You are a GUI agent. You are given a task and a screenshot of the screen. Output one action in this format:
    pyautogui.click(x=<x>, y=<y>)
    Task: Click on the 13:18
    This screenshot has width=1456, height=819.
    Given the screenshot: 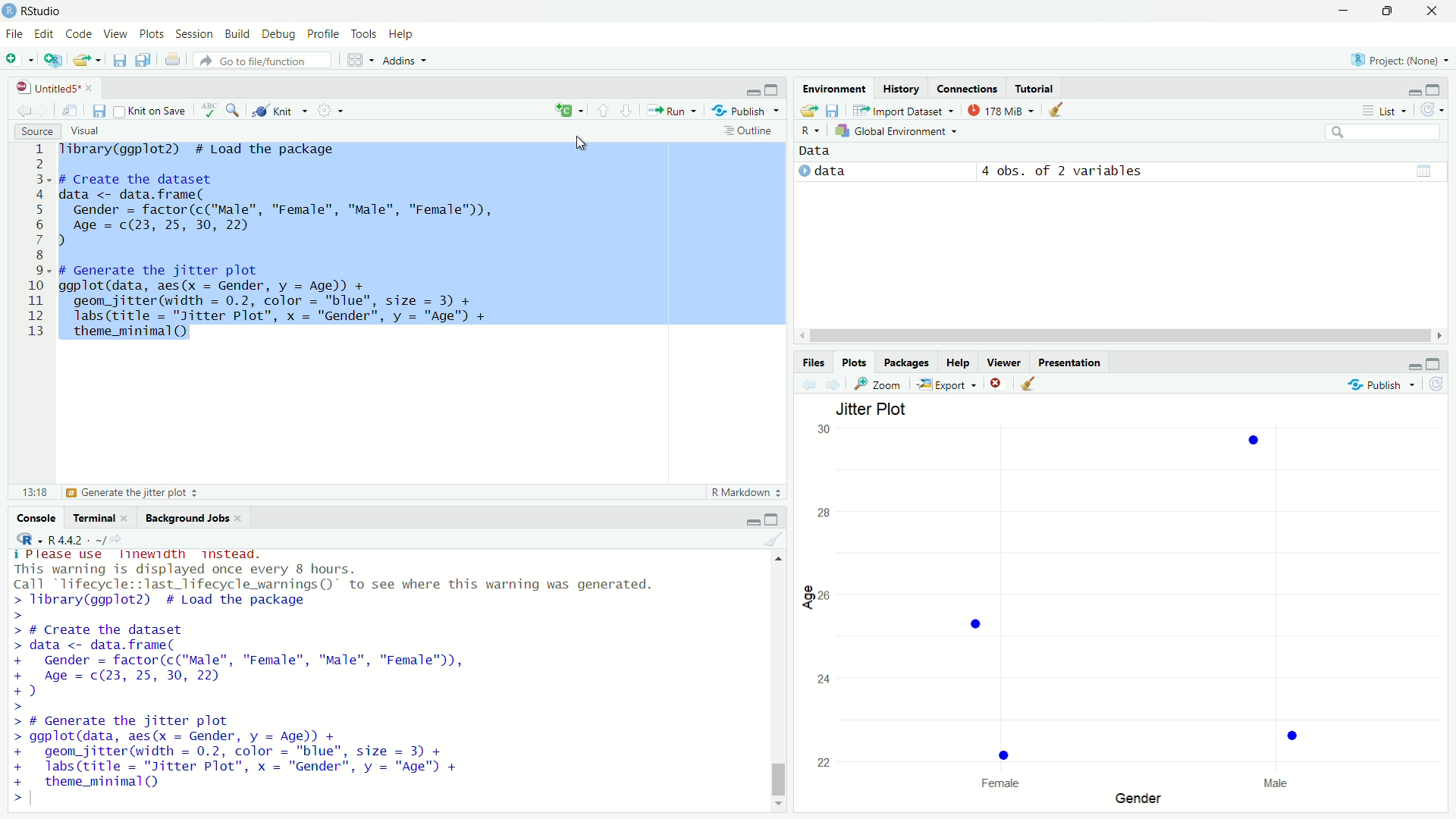 What is the action you would take?
    pyautogui.click(x=27, y=491)
    